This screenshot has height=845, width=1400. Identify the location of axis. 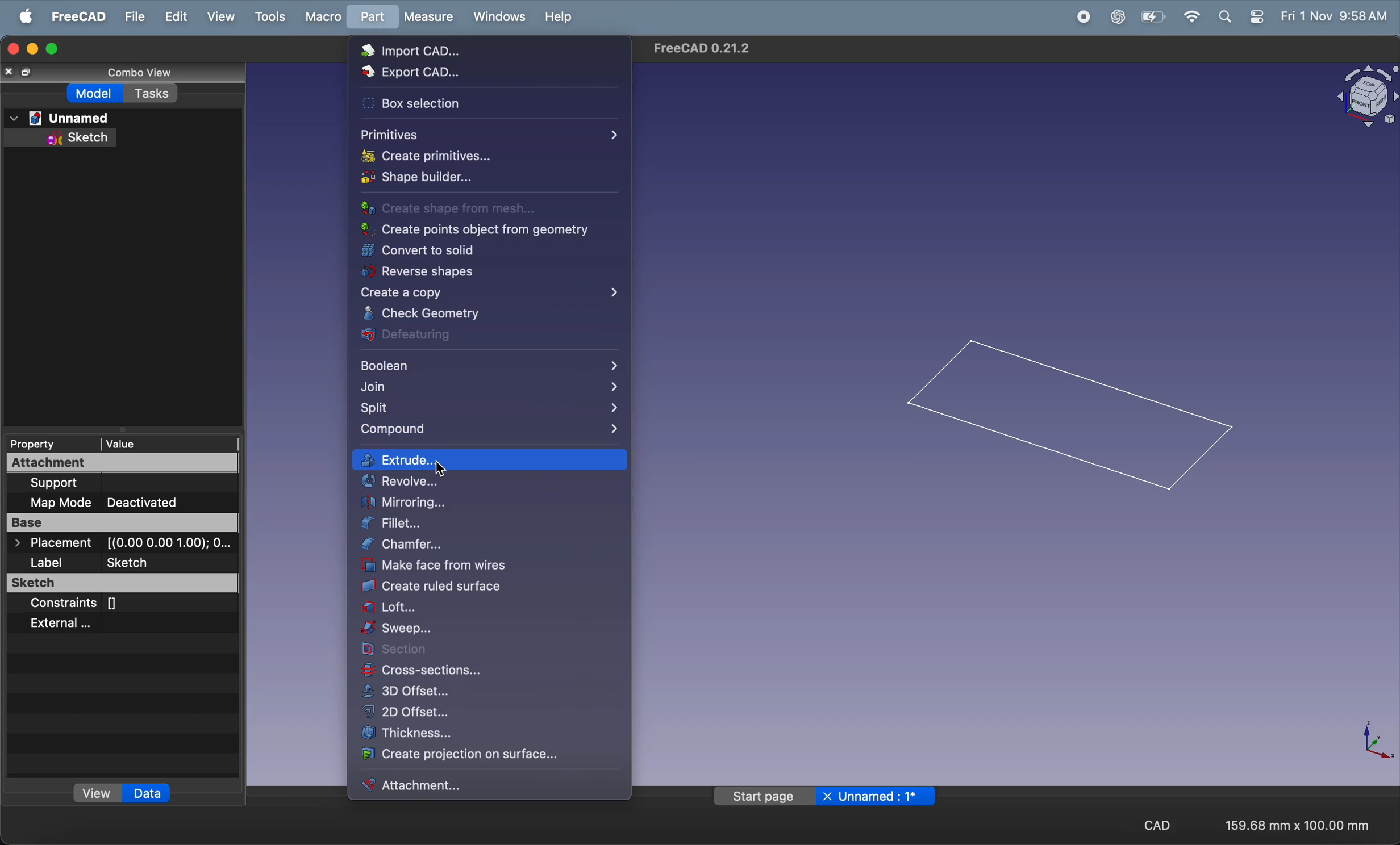
(1370, 738).